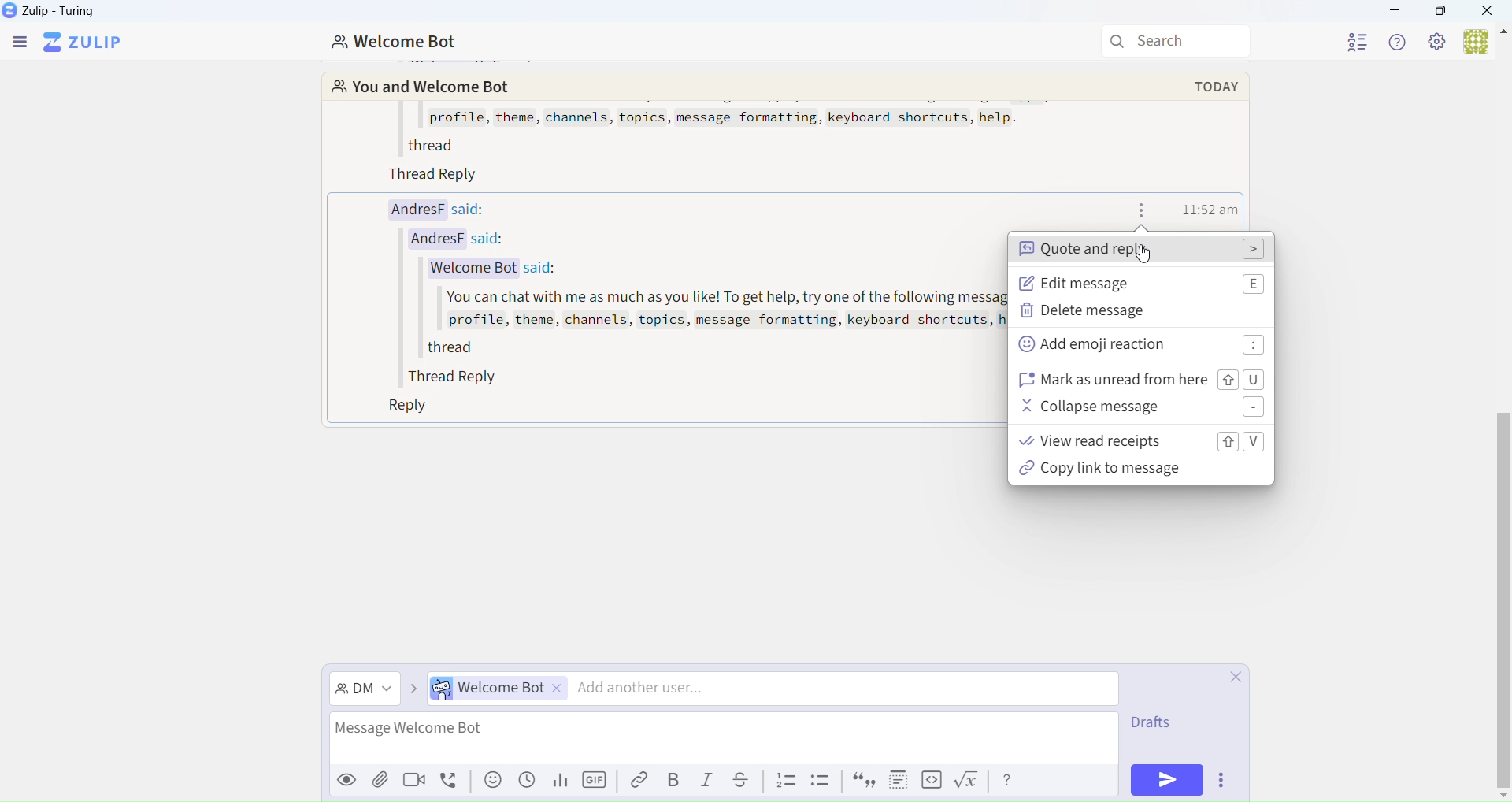  Describe the element at coordinates (1221, 779) in the screenshot. I see `Options` at that location.